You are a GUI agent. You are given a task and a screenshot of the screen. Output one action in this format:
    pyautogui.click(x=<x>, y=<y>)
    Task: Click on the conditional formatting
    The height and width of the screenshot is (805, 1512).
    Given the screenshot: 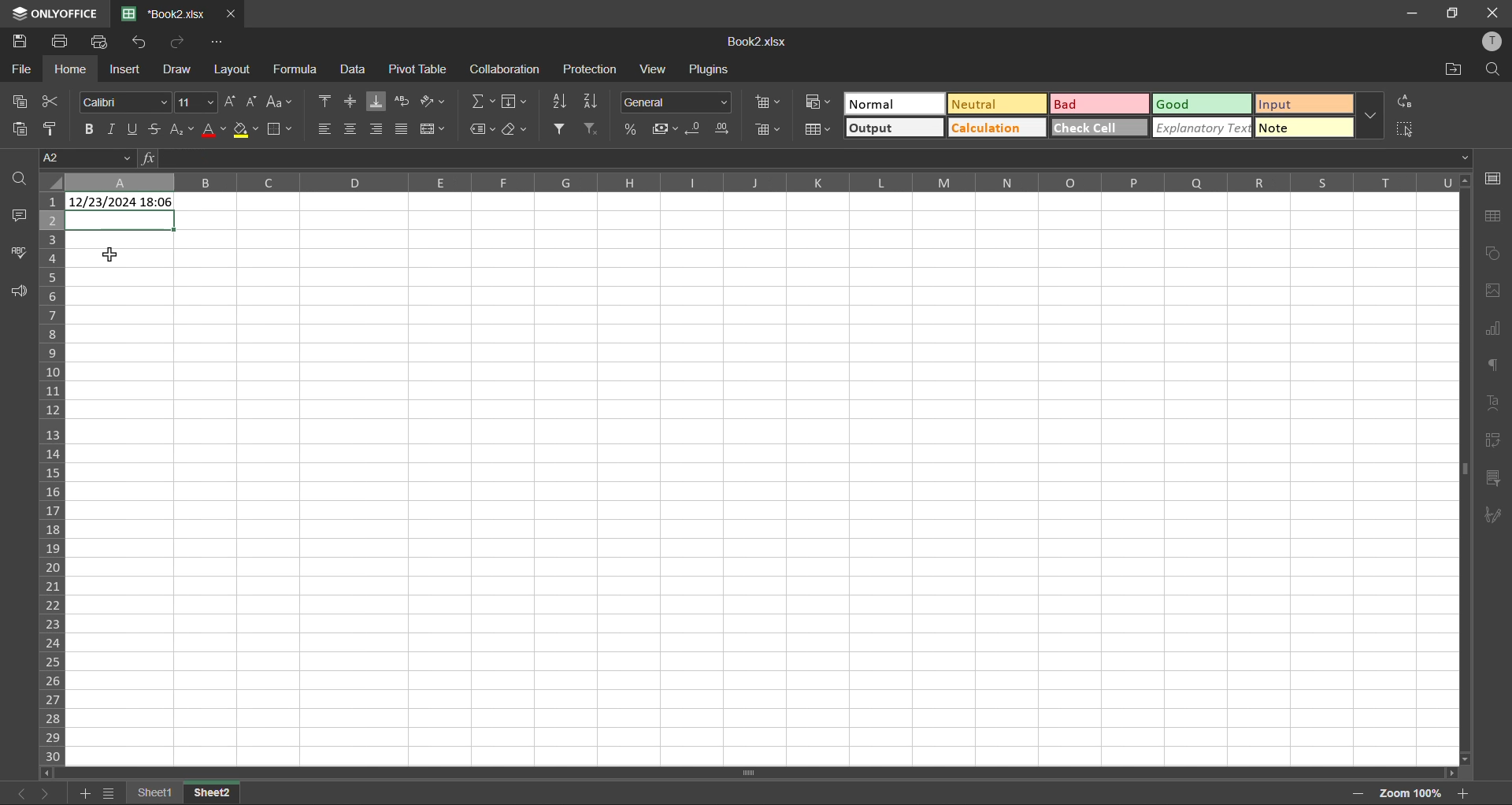 What is the action you would take?
    pyautogui.click(x=822, y=101)
    